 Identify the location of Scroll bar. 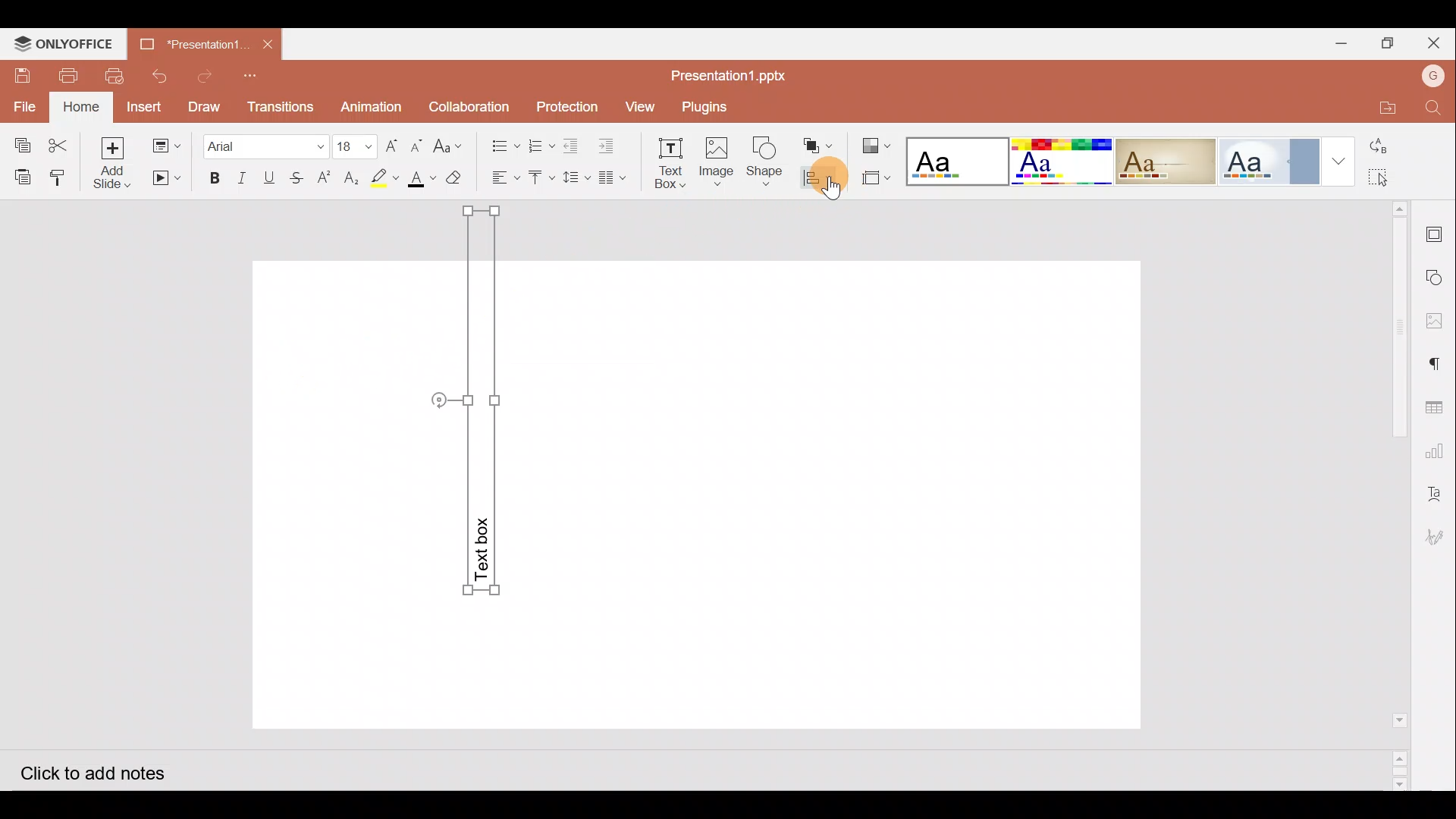
(1394, 495).